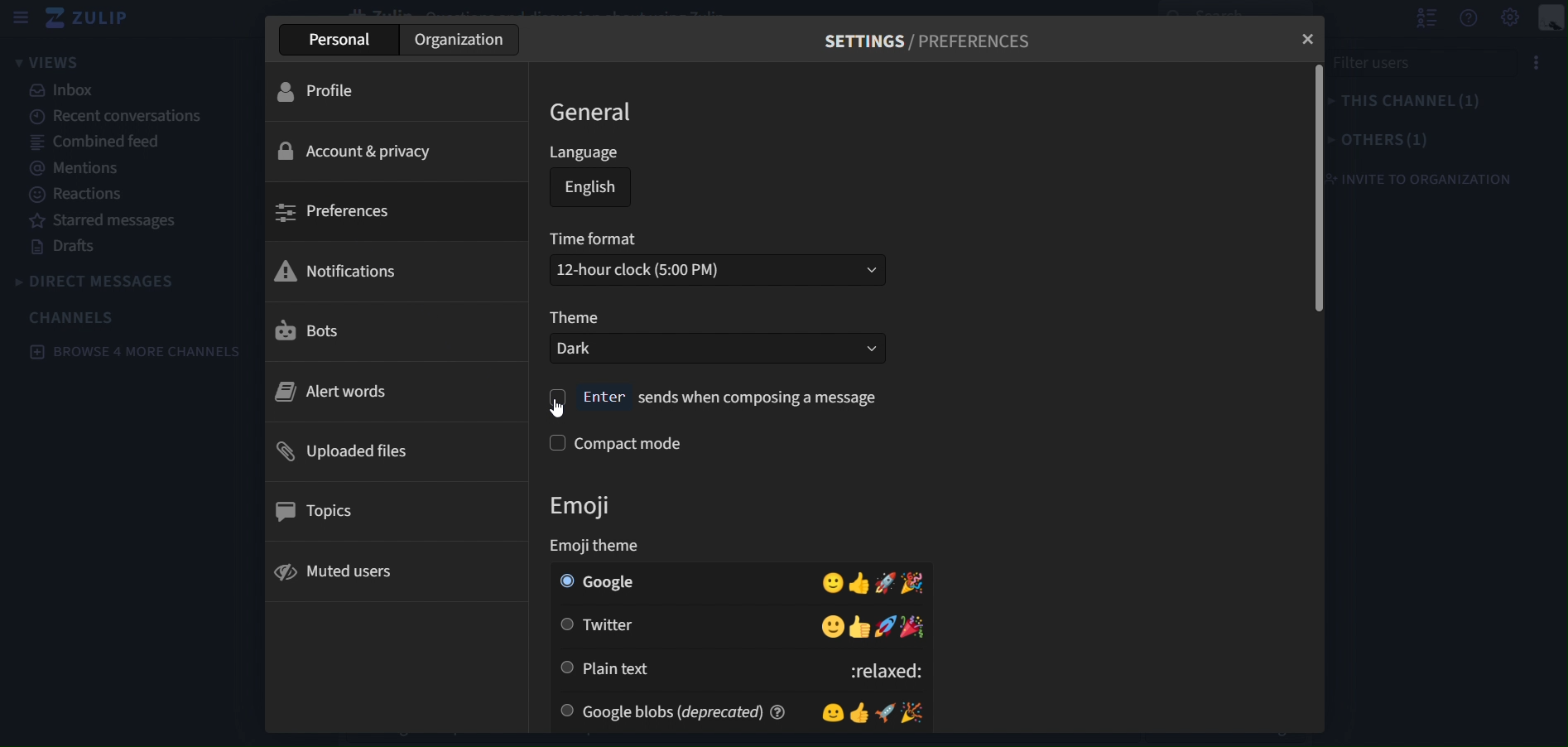  I want to click on Emojis, so click(873, 627).